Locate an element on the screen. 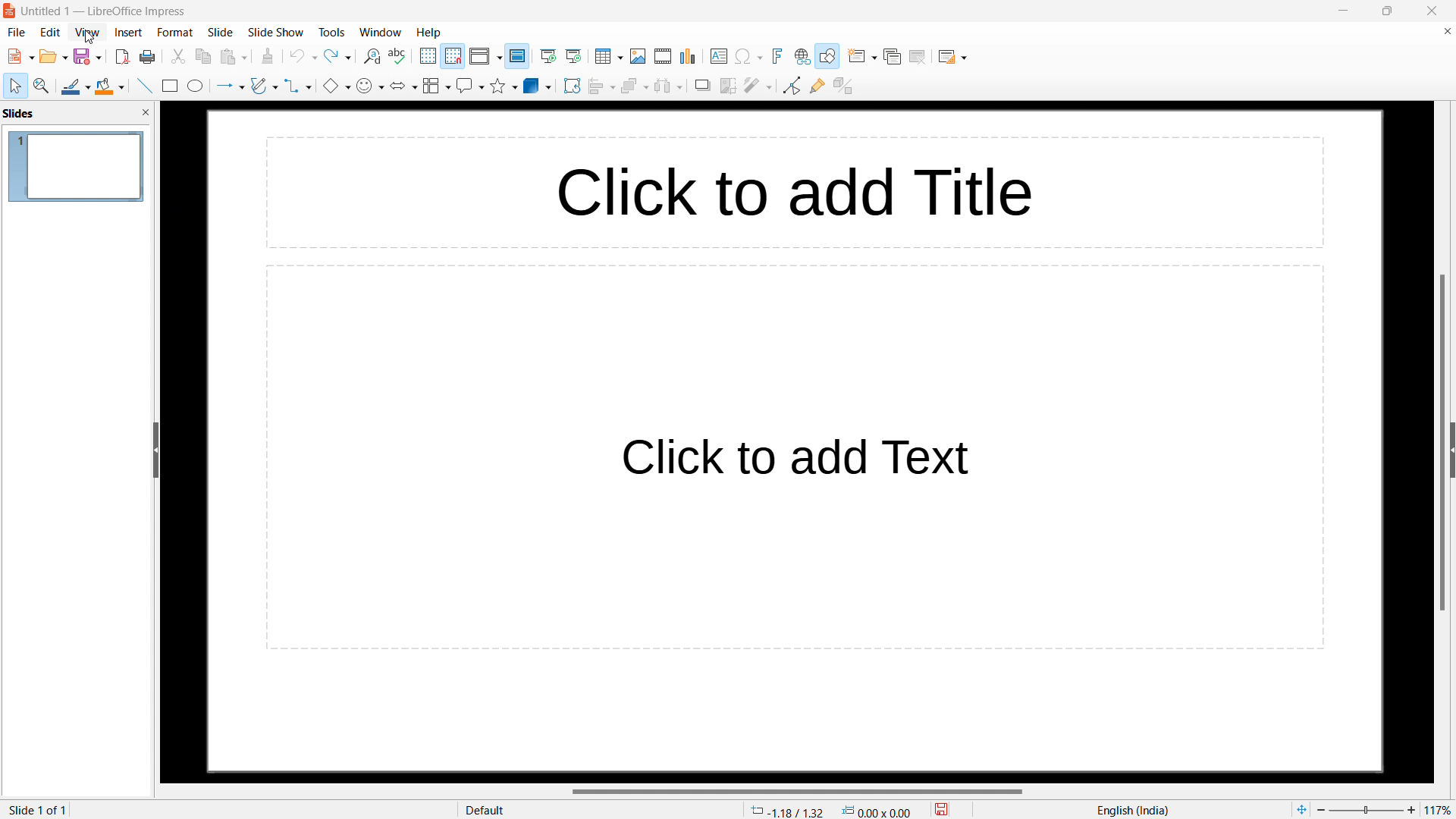  open is located at coordinates (54, 56).